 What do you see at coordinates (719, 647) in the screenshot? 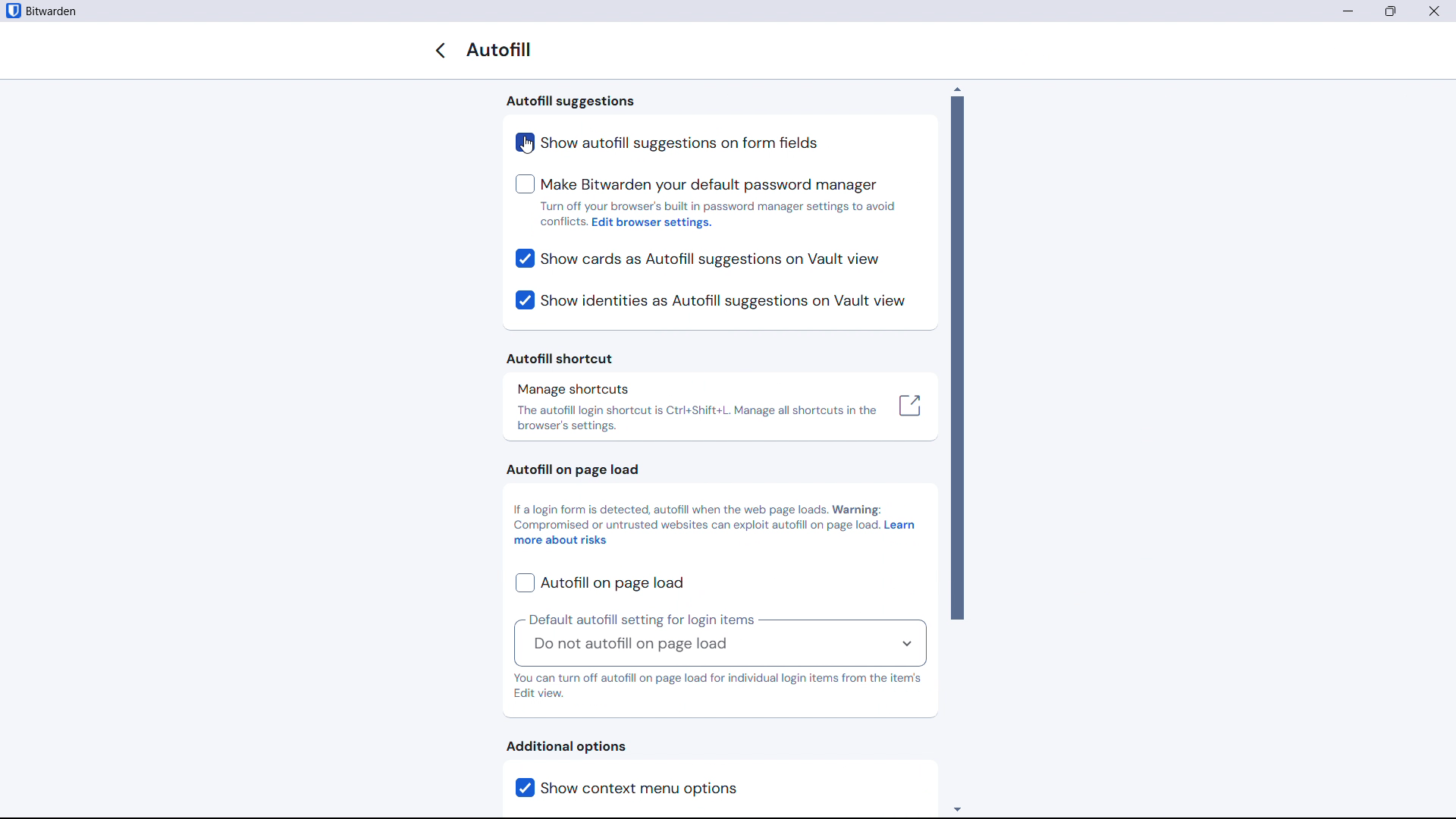
I see `Default autofield setting for login items ` at bounding box center [719, 647].